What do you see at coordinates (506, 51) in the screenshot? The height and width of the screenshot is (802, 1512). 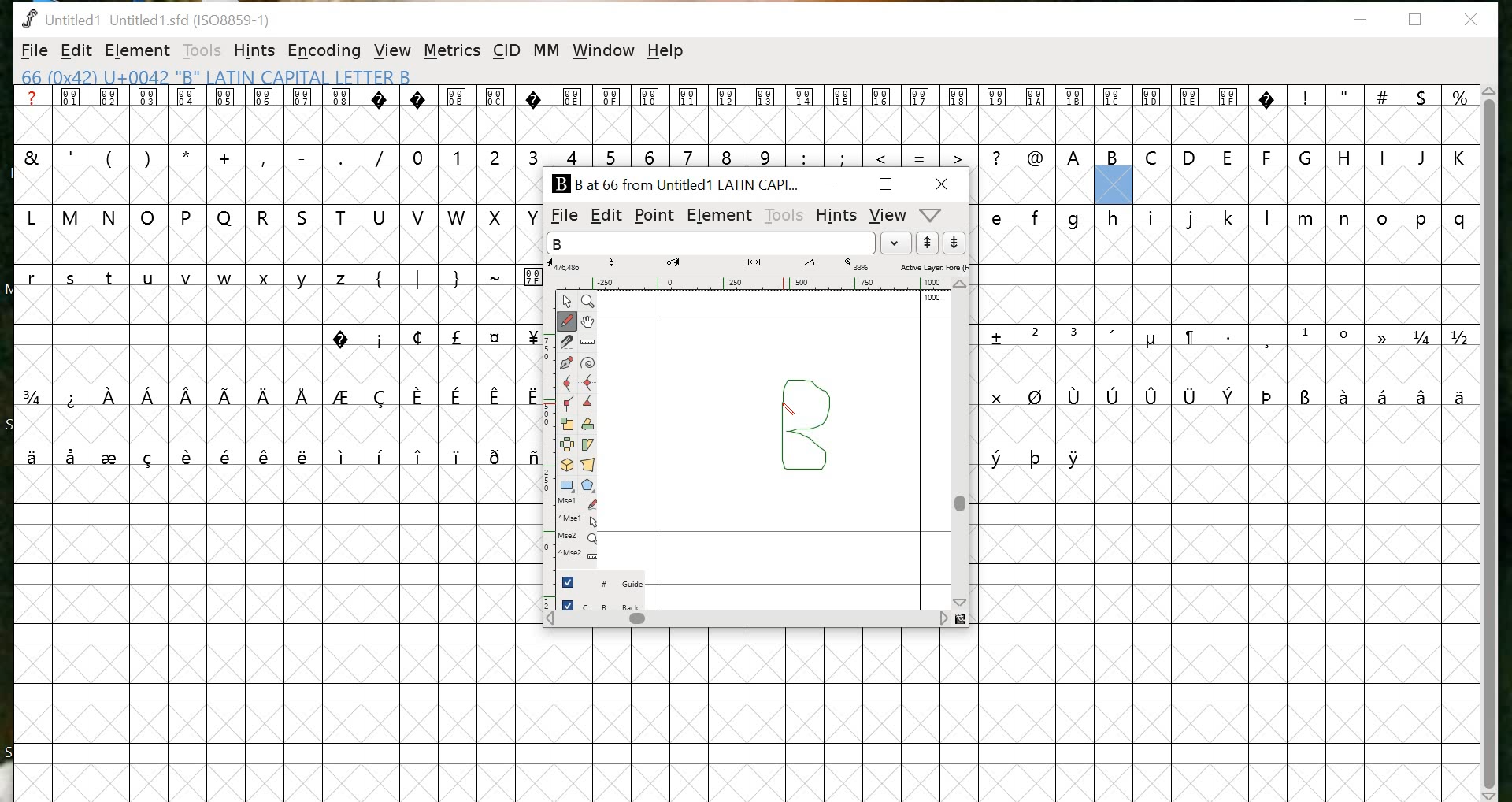 I see `CID` at bounding box center [506, 51].